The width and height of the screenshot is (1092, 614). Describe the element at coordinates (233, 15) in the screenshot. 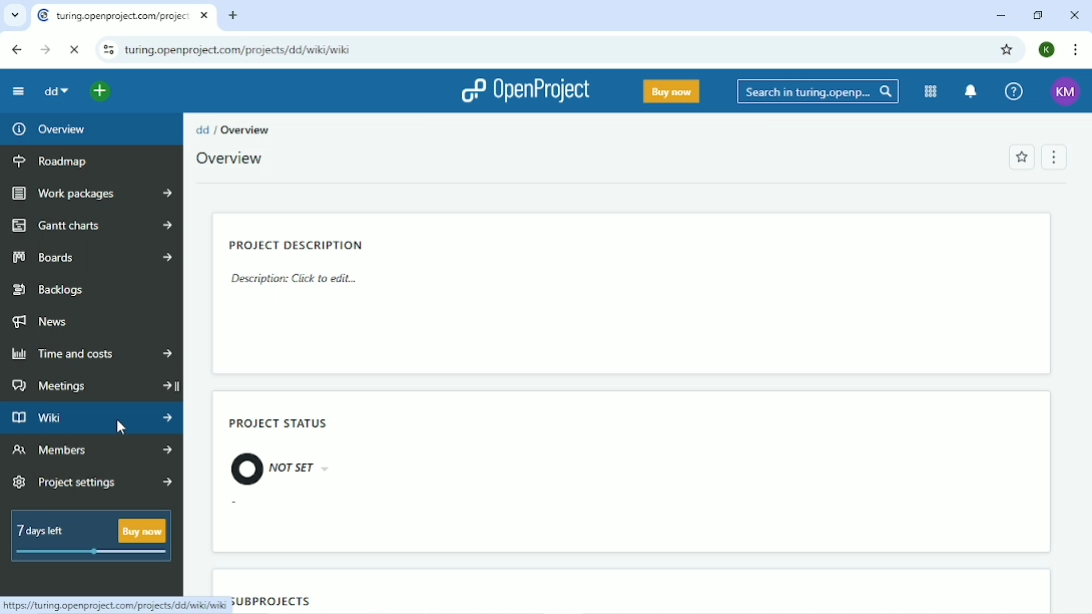

I see `New tab` at that location.